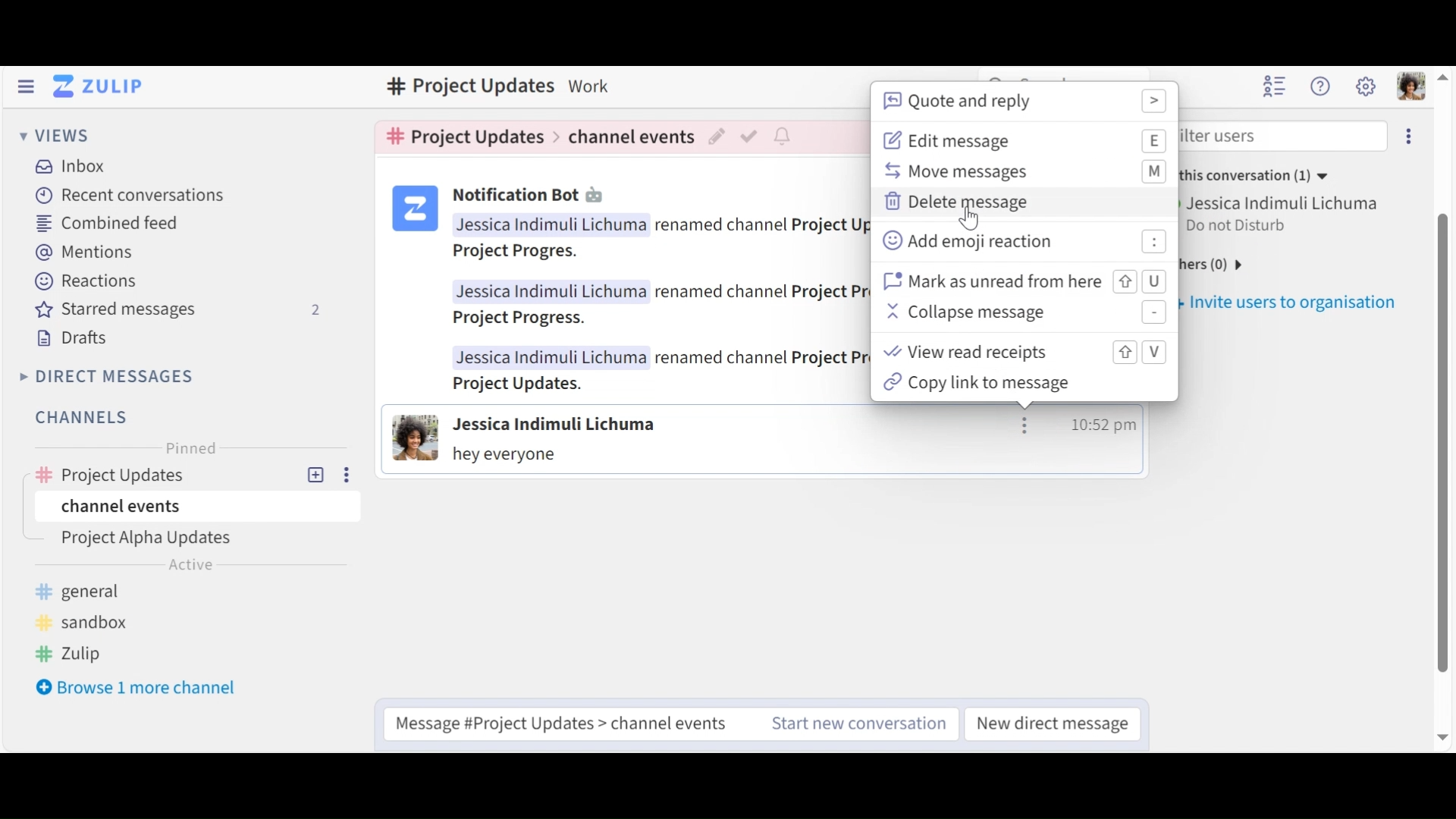 Image resolution: width=1456 pixels, height=819 pixels. What do you see at coordinates (1407, 138) in the screenshot?
I see `Invite user to organisation` at bounding box center [1407, 138].